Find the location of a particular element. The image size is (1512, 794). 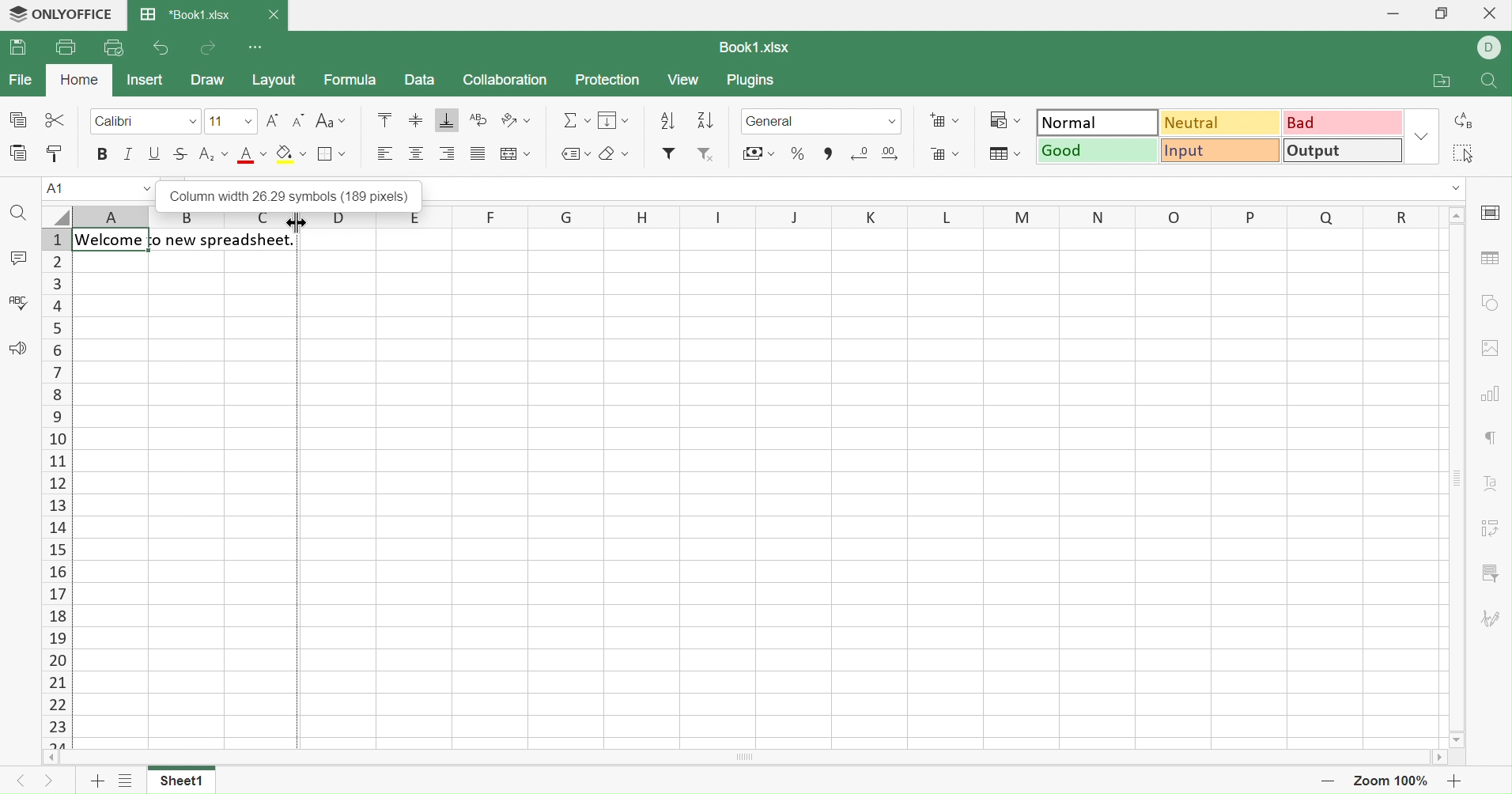

*Book1.xlsx is located at coordinates (187, 15).